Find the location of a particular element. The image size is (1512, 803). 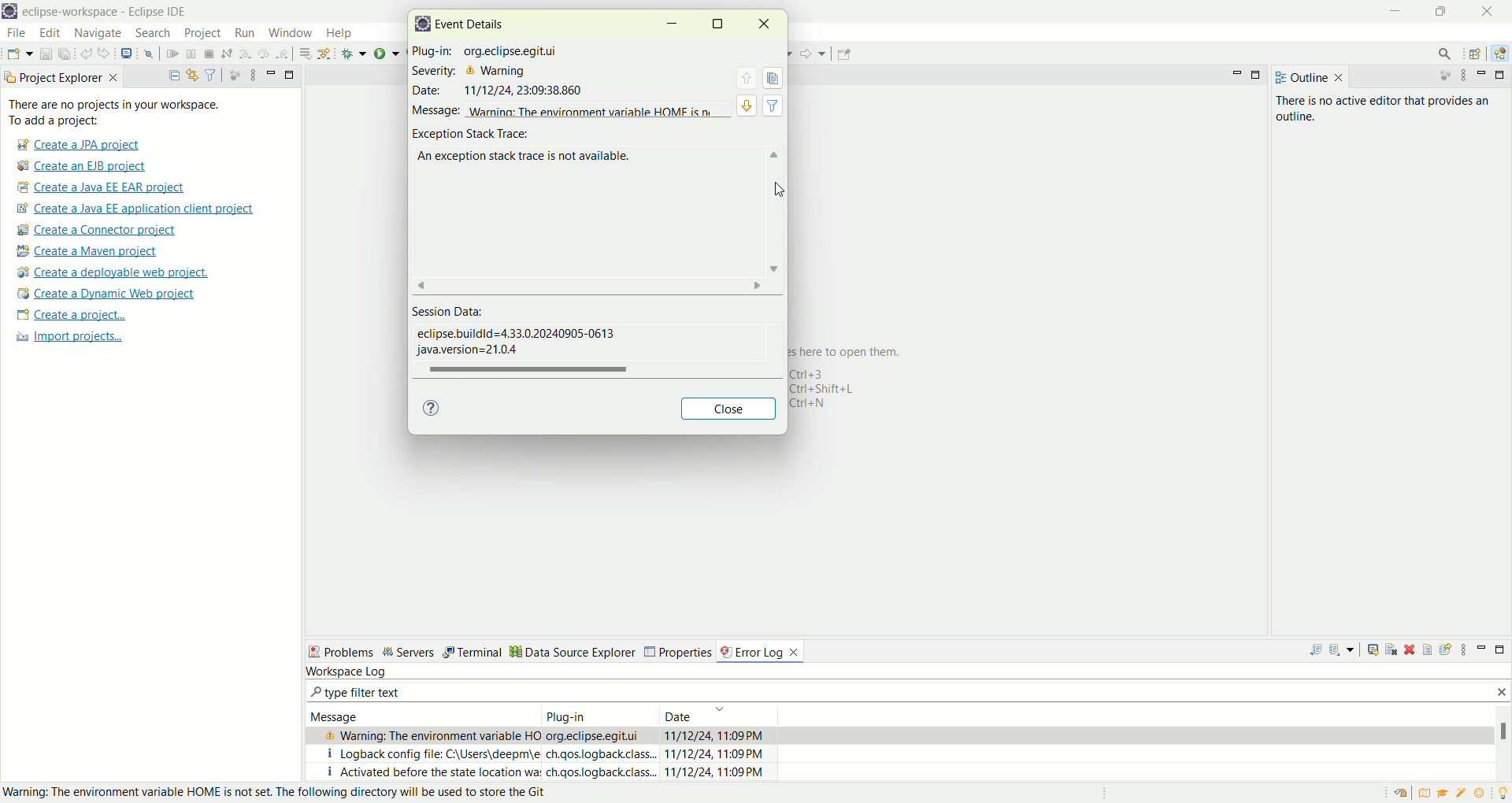

skip all the breakpoints is located at coordinates (148, 54).